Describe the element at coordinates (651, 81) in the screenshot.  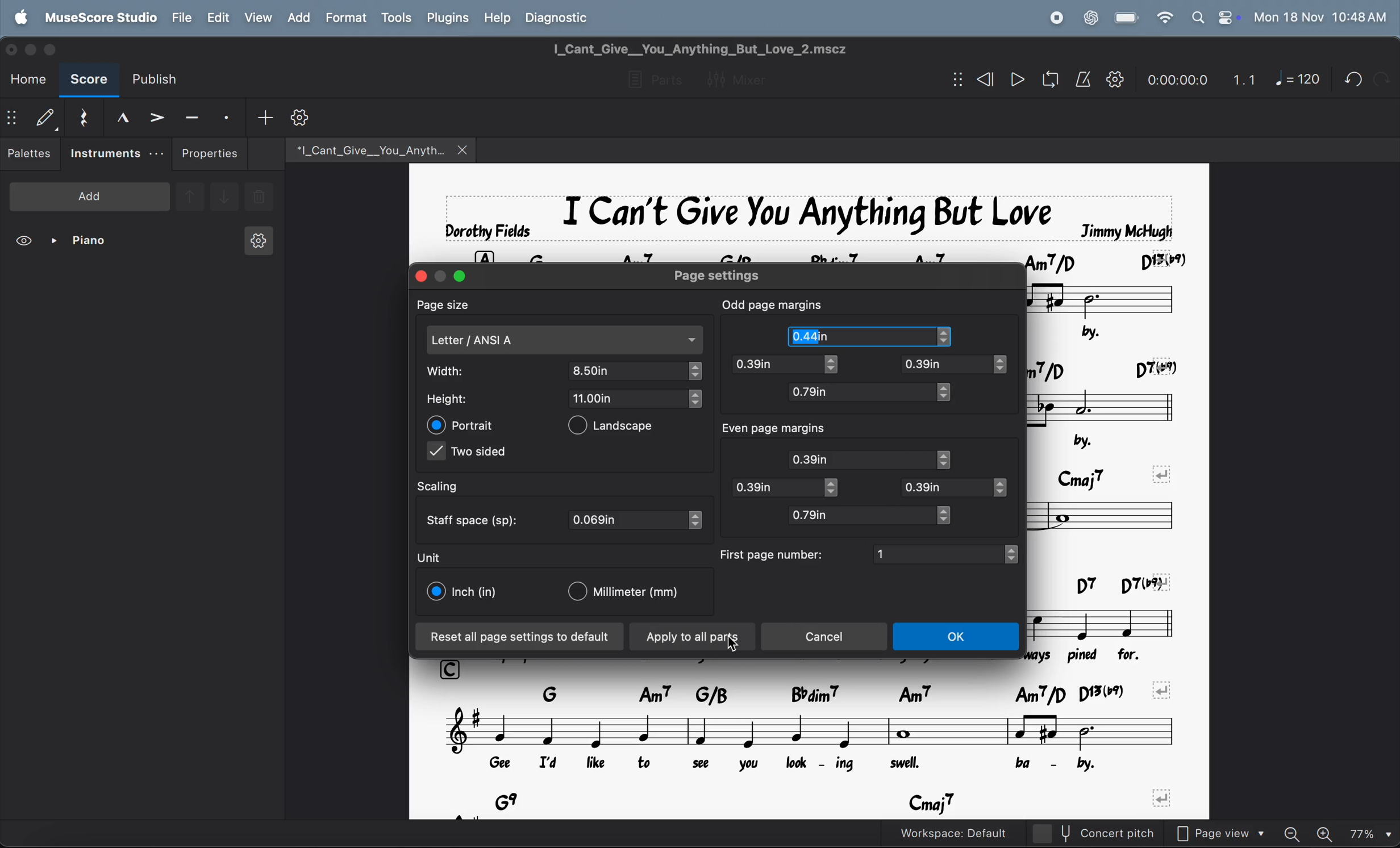
I see `parts` at that location.